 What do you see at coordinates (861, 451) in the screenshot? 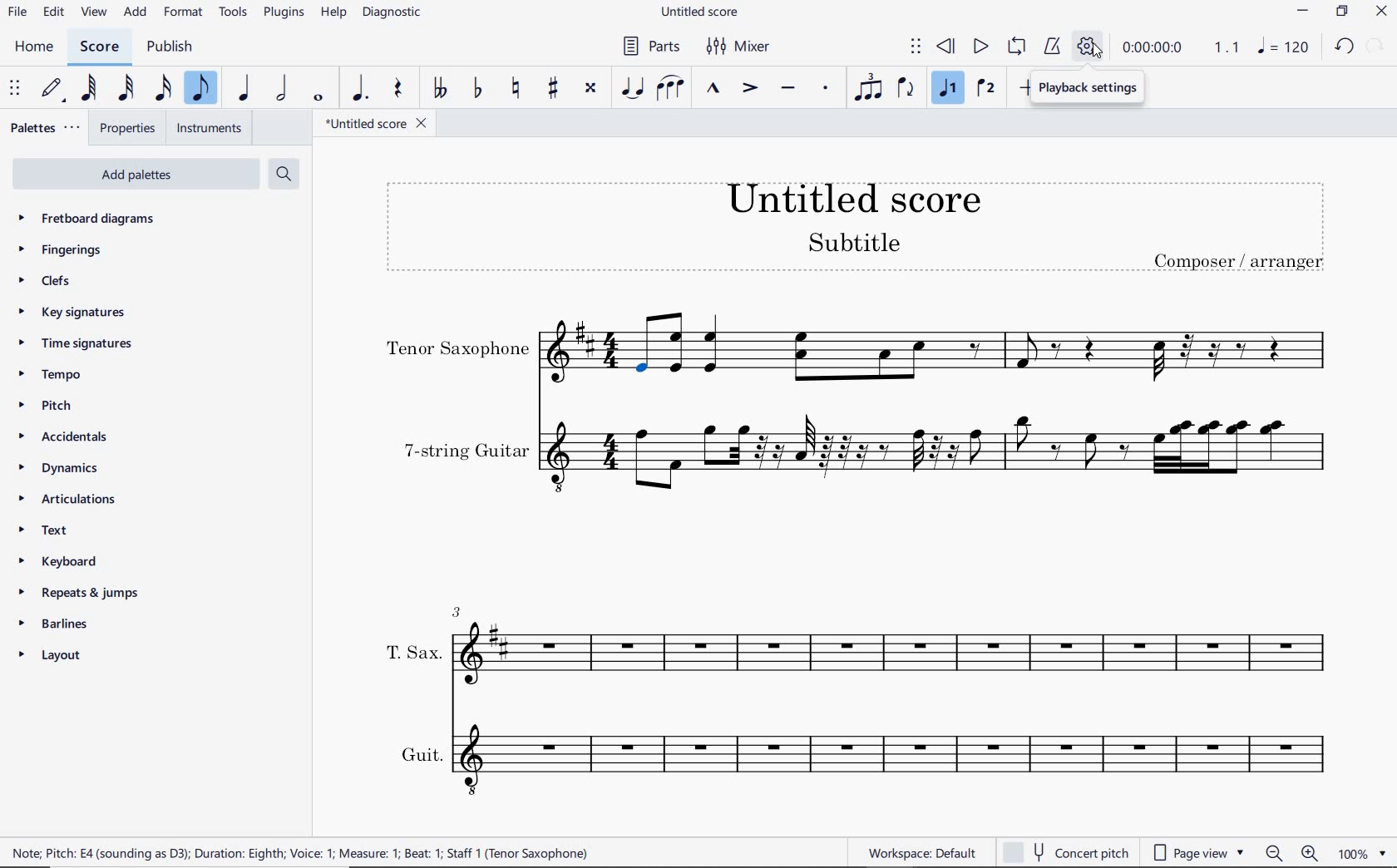
I see `INSTRUMENT: 7-STRING GUITAR` at bounding box center [861, 451].